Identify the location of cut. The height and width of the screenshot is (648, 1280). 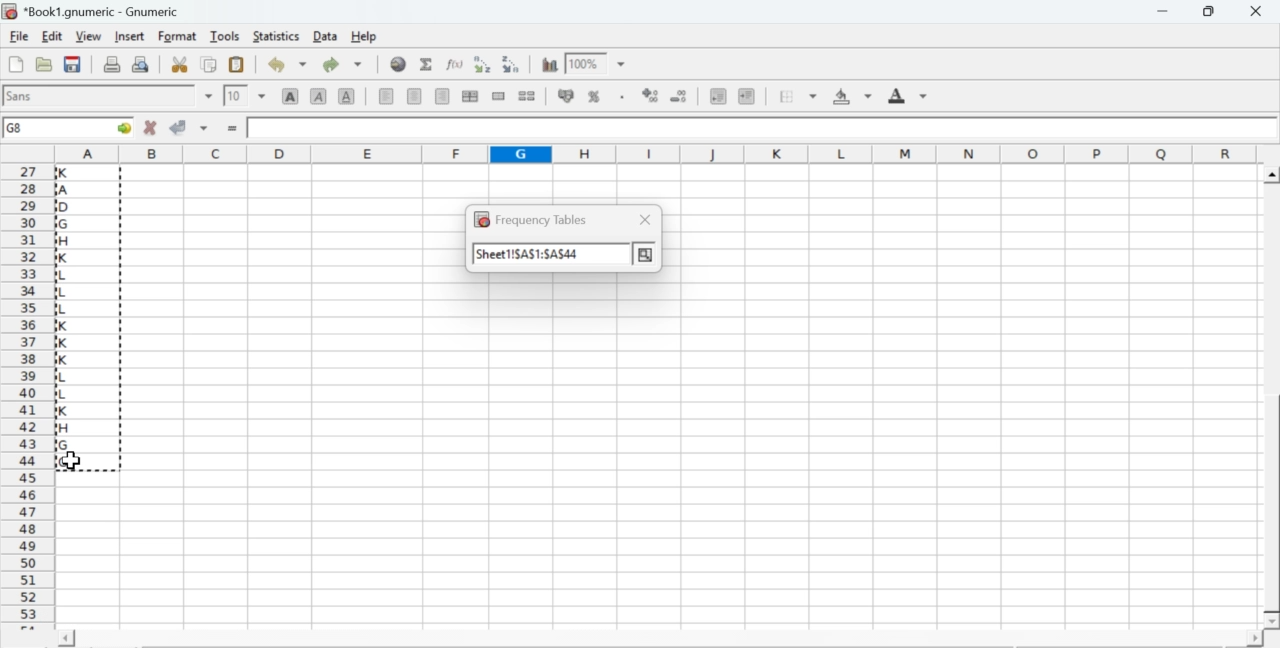
(179, 64).